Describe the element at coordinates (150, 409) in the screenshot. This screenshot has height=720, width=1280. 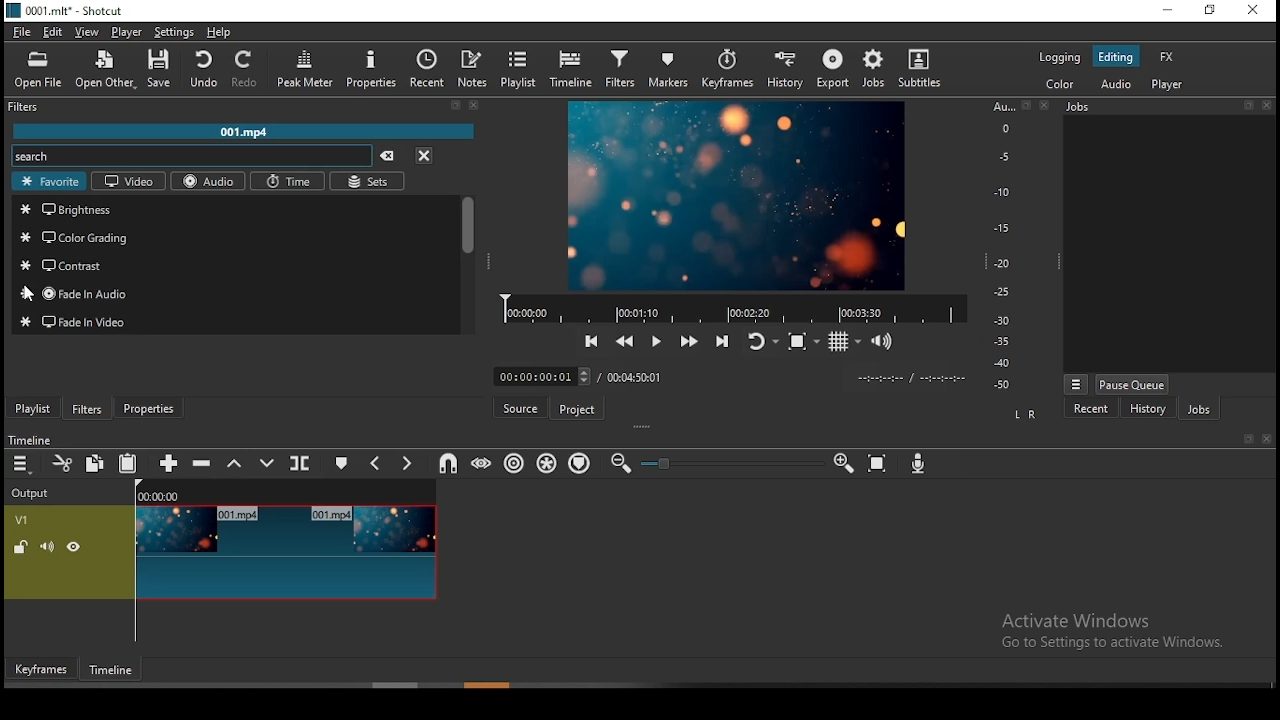
I see `properties` at that location.